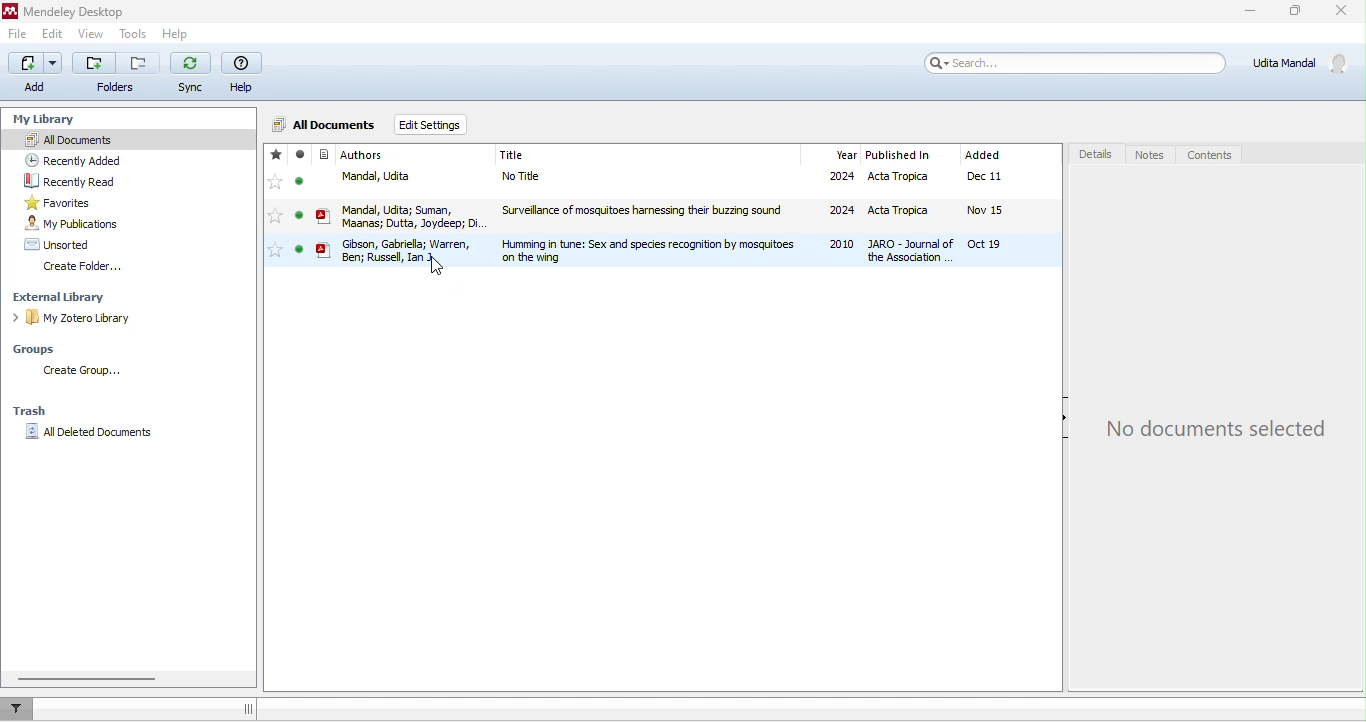  Describe the element at coordinates (53, 34) in the screenshot. I see `edit` at that location.